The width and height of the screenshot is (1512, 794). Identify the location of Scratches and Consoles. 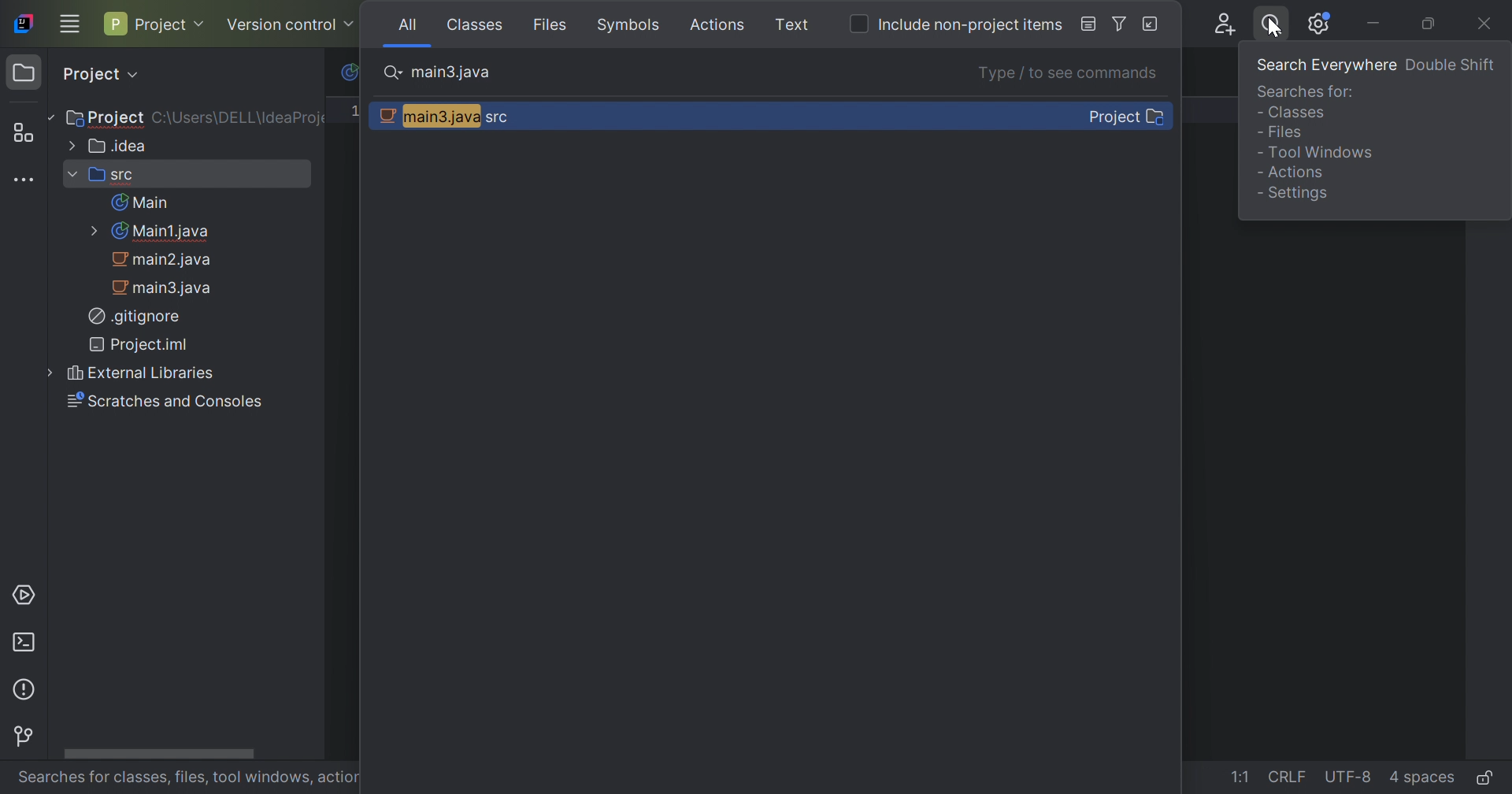
(161, 399).